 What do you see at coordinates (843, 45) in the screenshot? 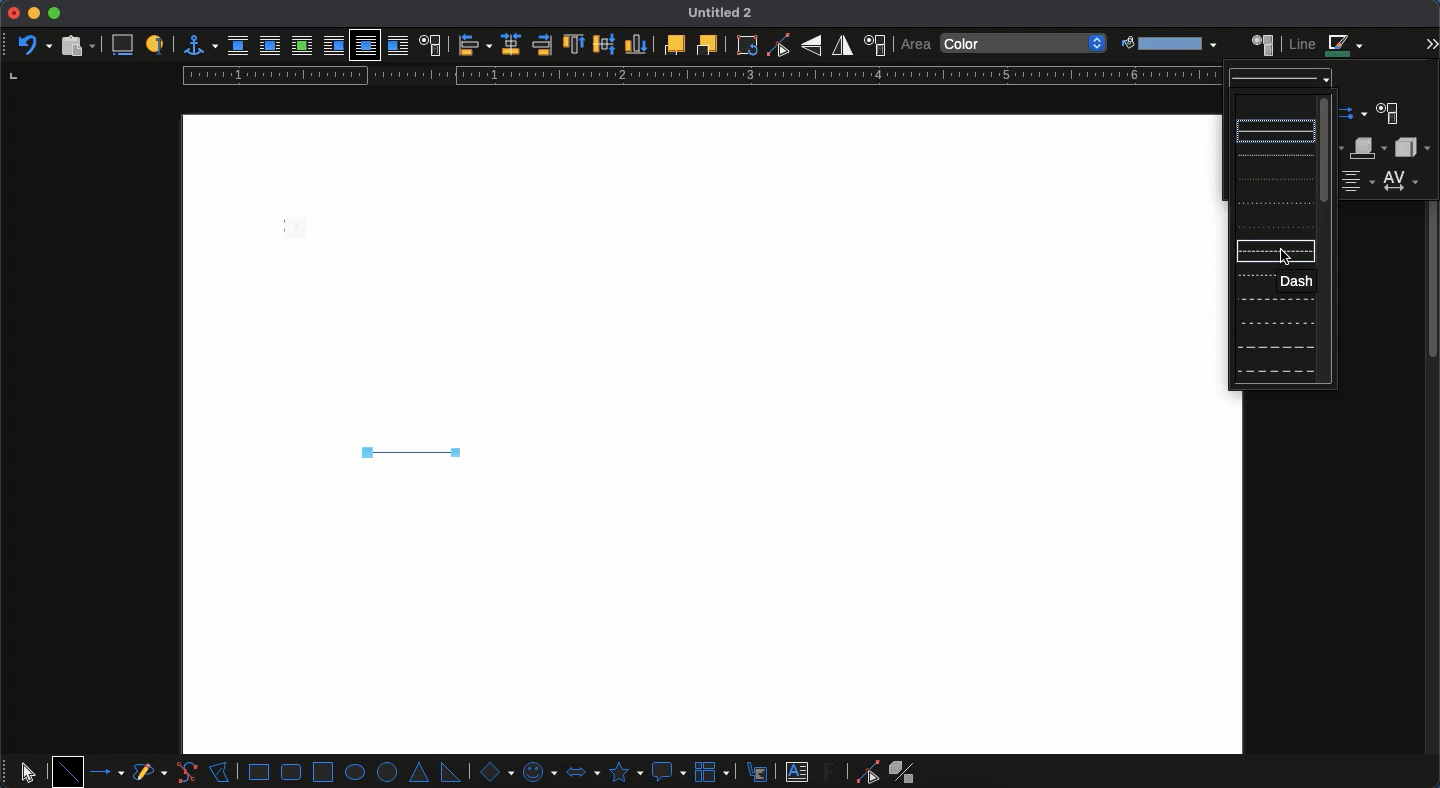
I see `flip horizontally` at bounding box center [843, 45].